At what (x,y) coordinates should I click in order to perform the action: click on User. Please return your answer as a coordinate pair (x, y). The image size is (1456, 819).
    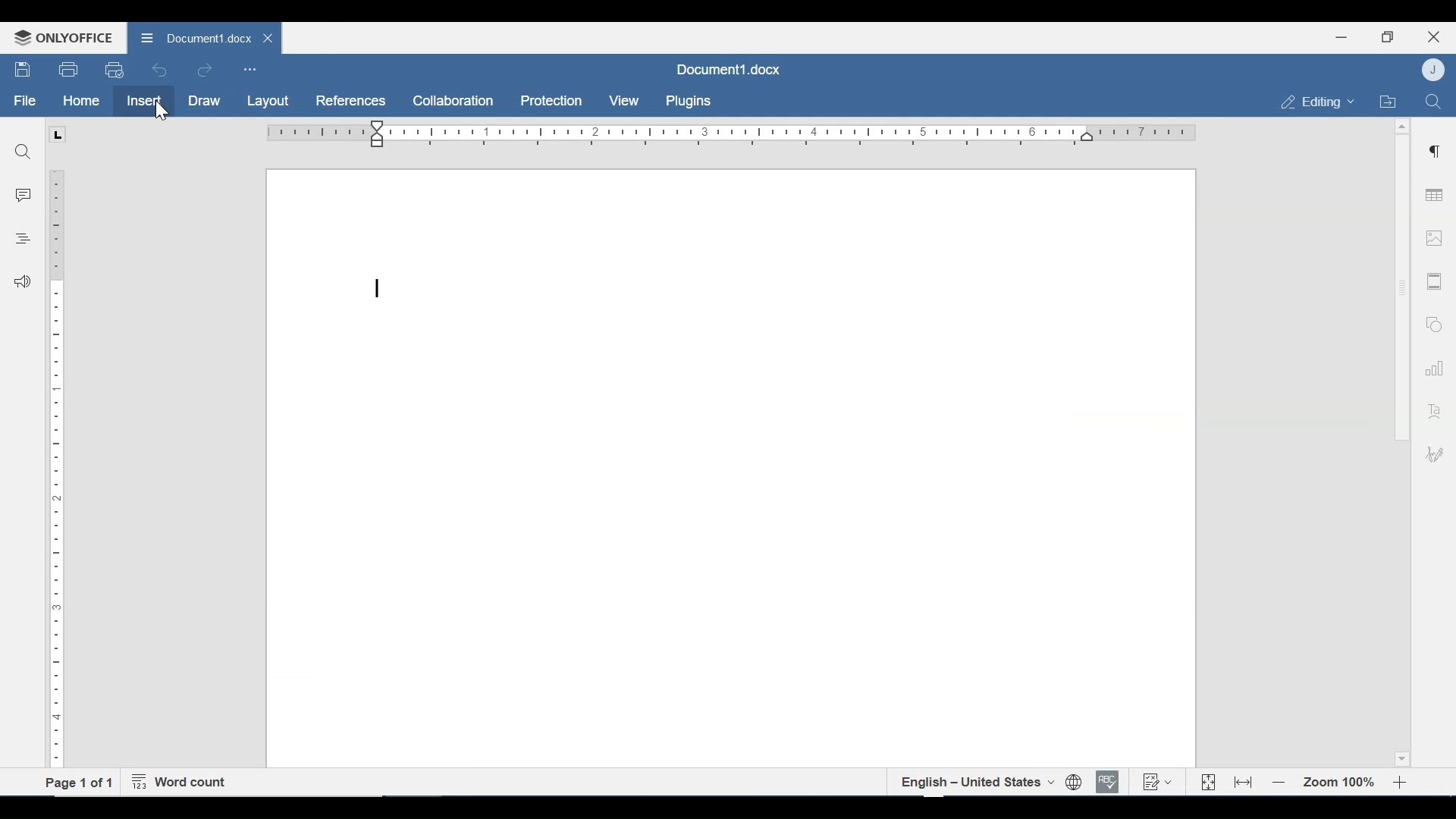
    Looking at the image, I should click on (1435, 69).